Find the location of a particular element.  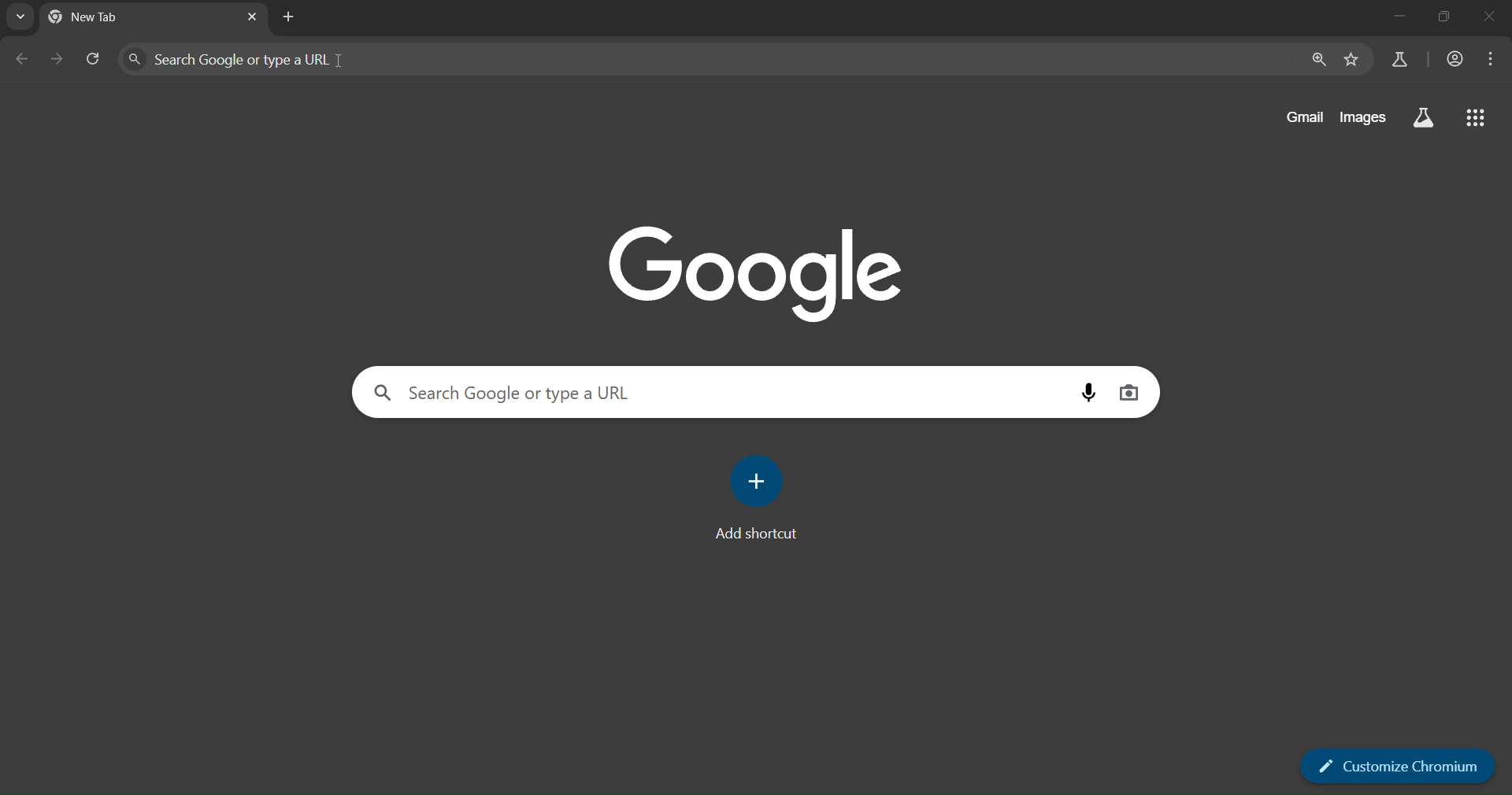

Maximize is located at coordinates (1445, 17).